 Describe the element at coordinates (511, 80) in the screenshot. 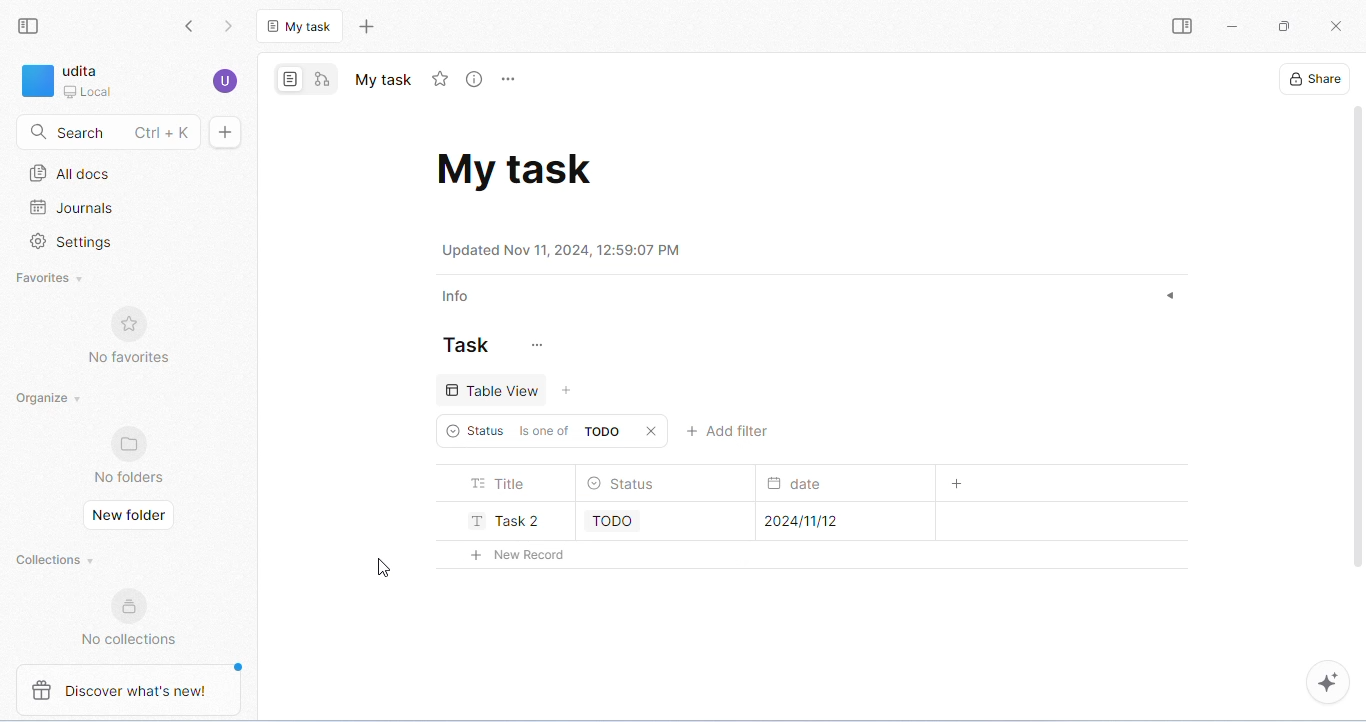

I see `rename and more` at that location.